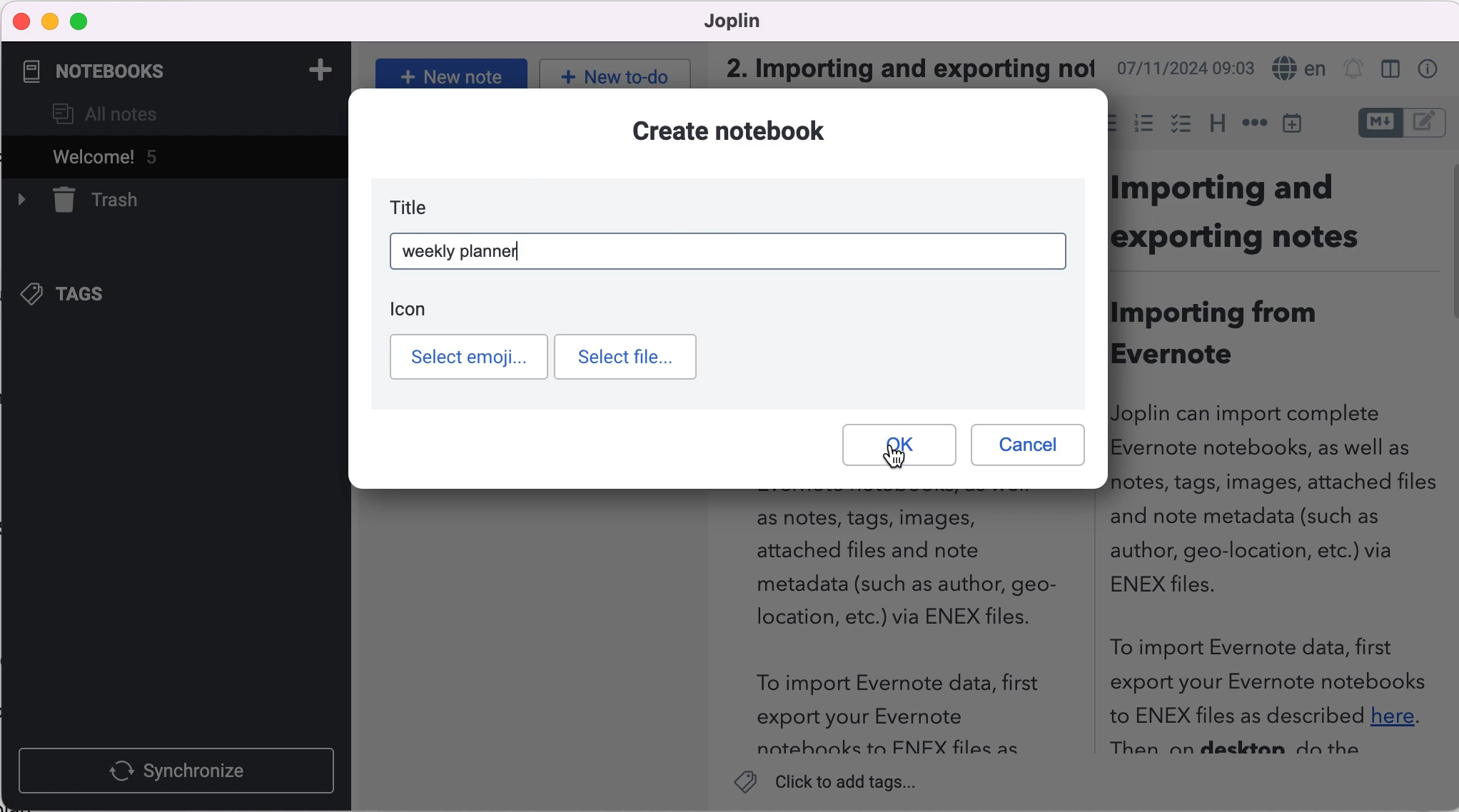 The height and width of the screenshot is (812, 1459). Describe the element at coordinates (418, 207) in the screenshot. I see `title` at that location.